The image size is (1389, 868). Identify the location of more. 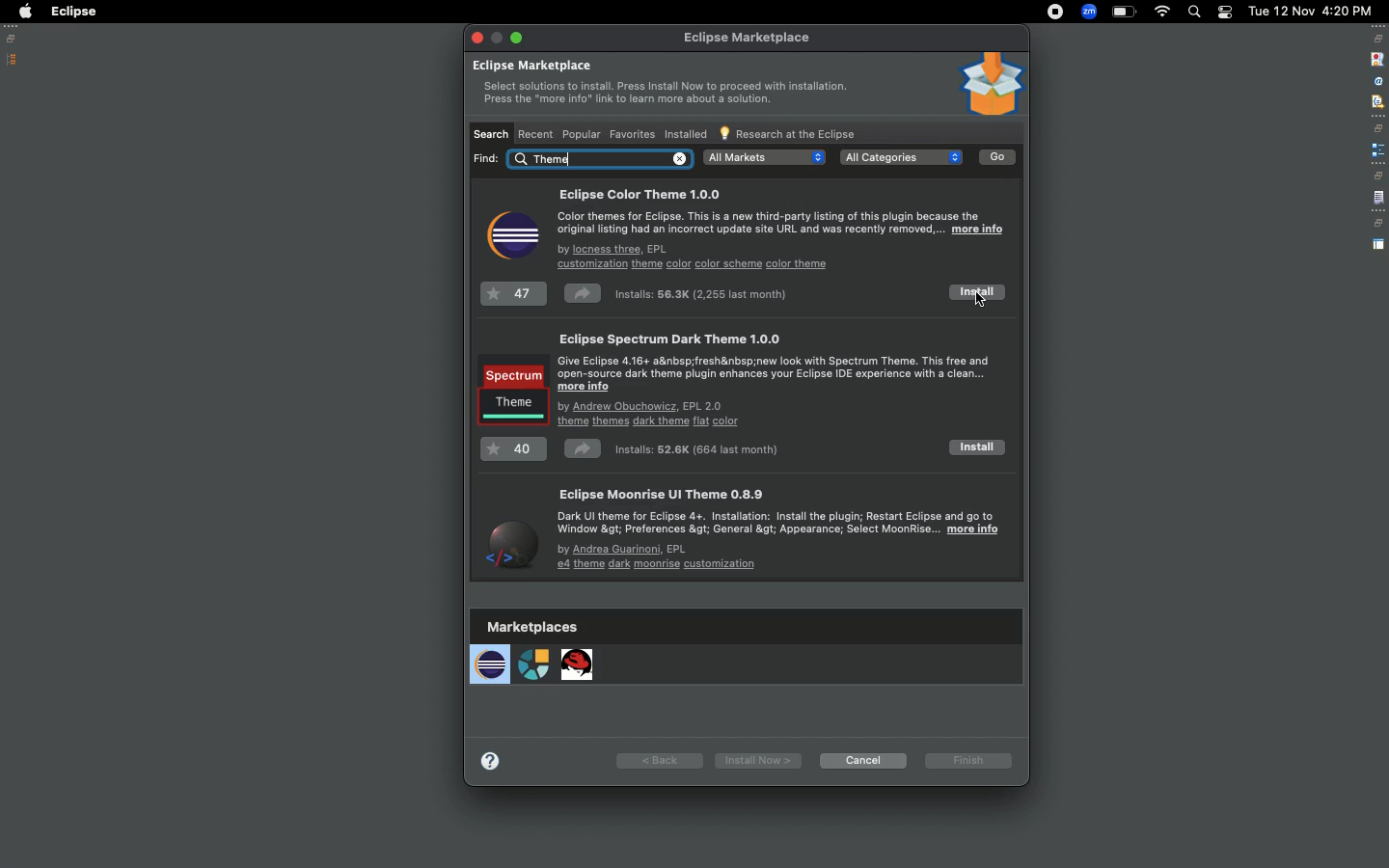
(495, 758).